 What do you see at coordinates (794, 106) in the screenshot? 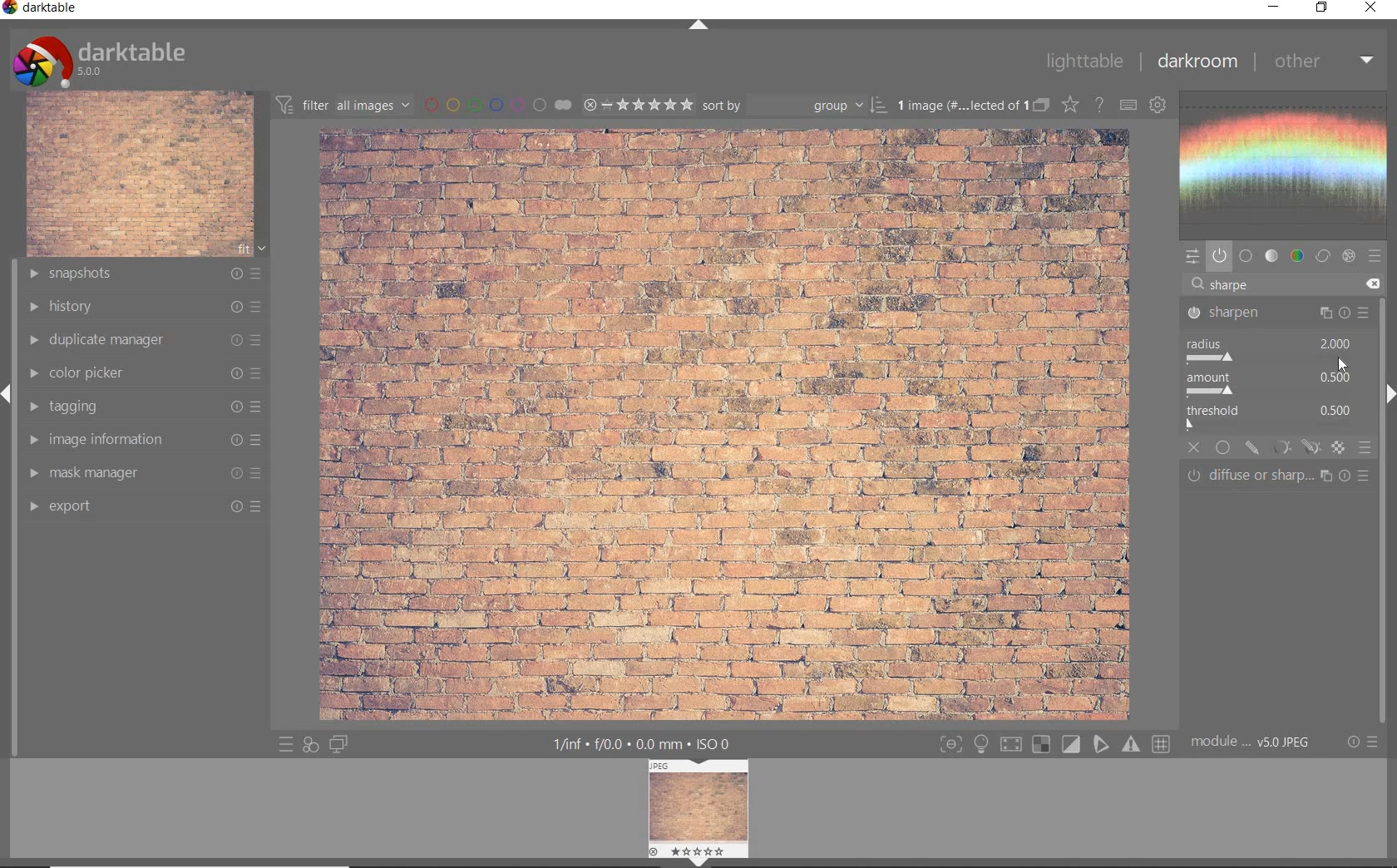
I see `sort by group` at bounding box center [794, 106].